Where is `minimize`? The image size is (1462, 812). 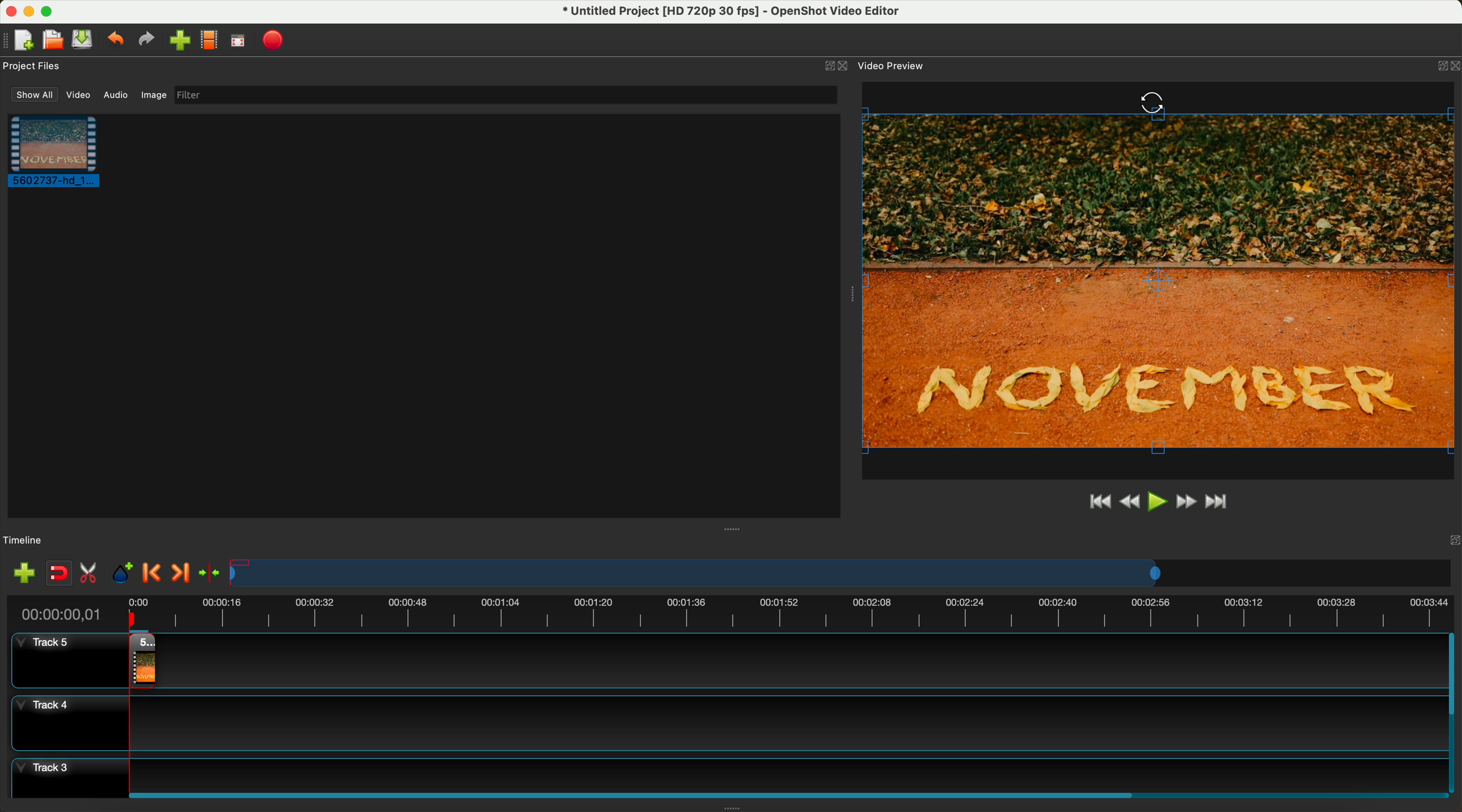
minimize is located at coordinates (30, 11).